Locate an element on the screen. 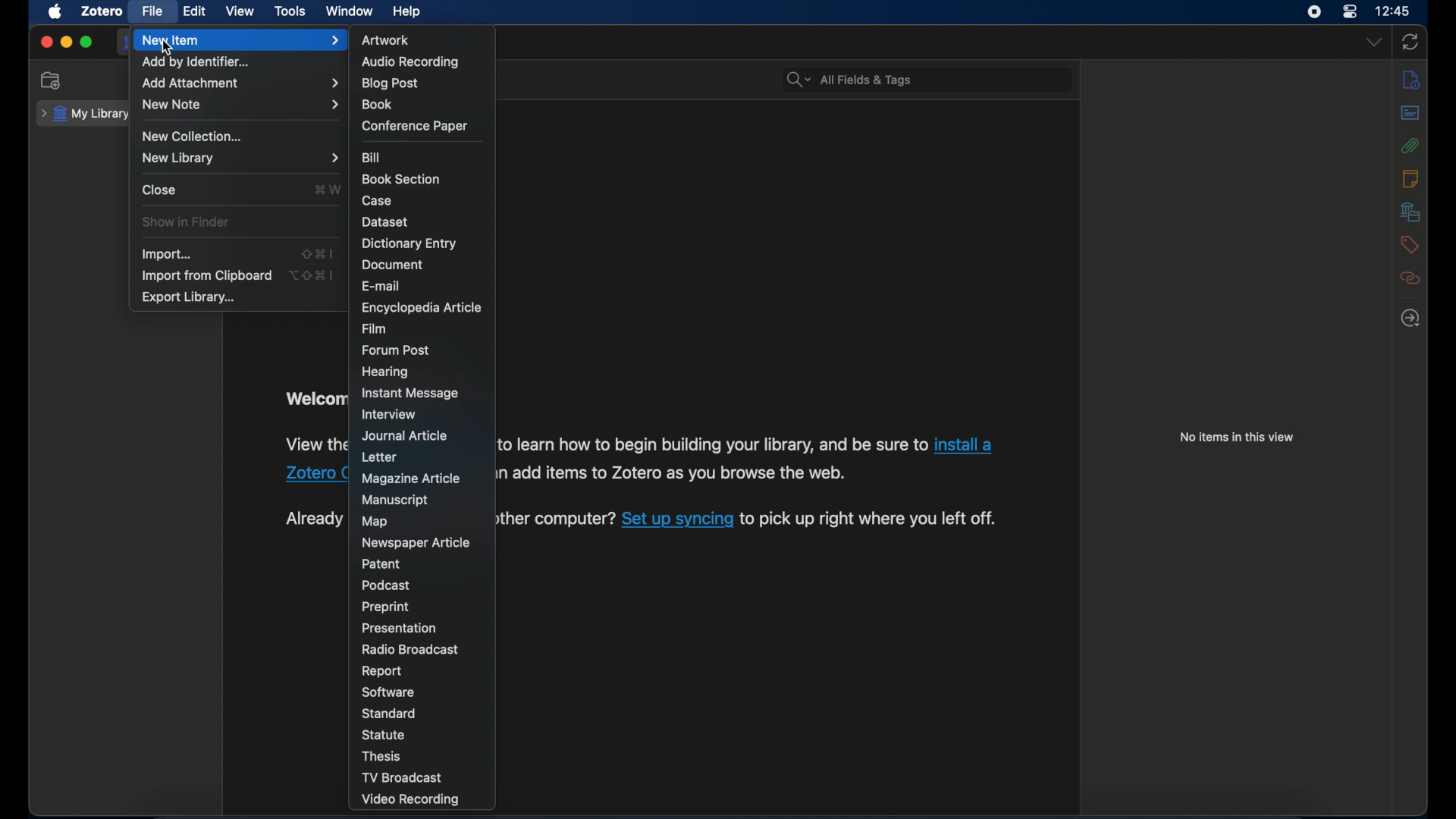 The image size is (1456, 819). shortcut is located at coordinates (317, 254).